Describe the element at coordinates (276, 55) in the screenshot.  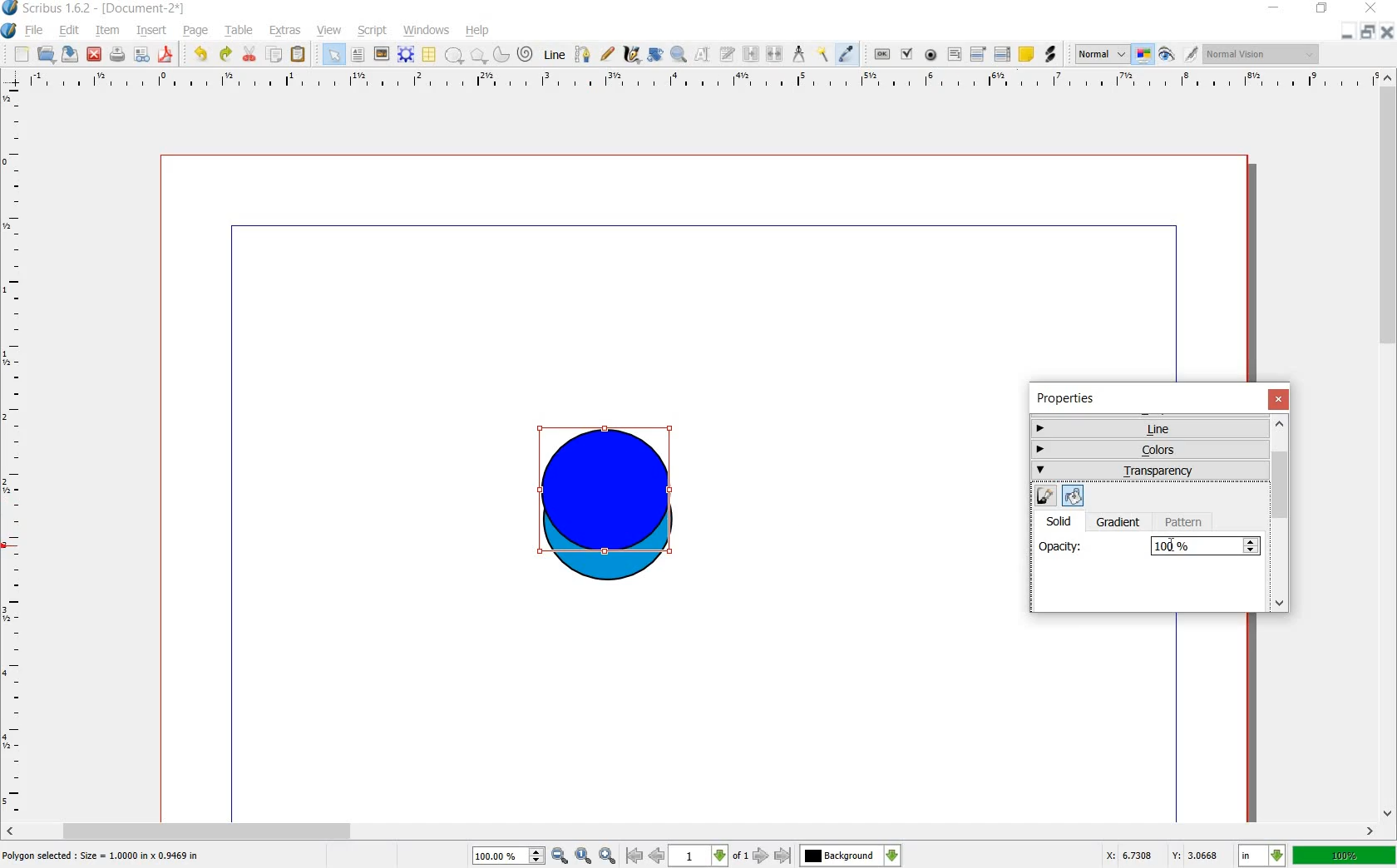
I see `copy` at that location.